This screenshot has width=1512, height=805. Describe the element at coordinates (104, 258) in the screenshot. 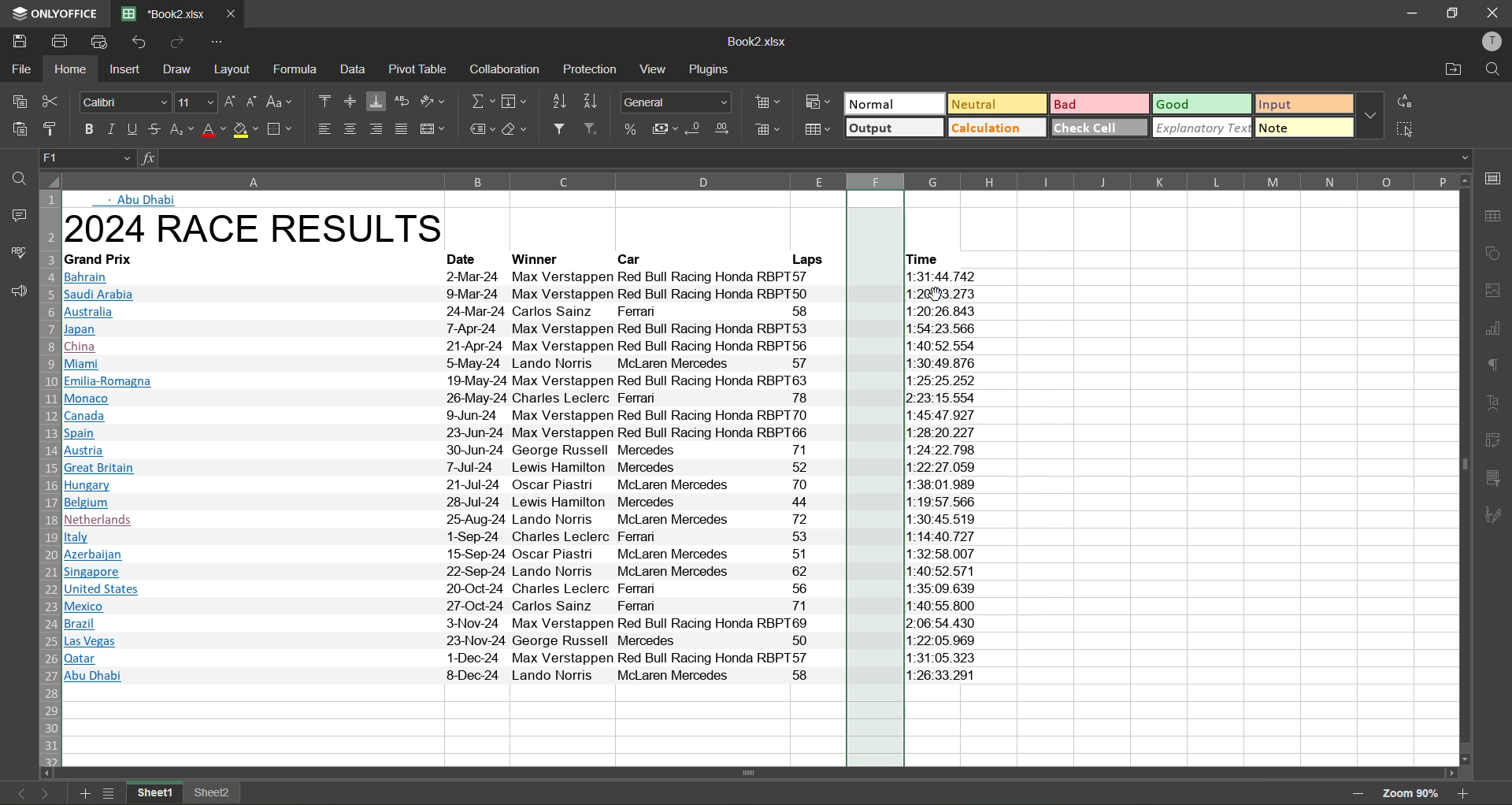

I see `| Grand Prix` at that location.